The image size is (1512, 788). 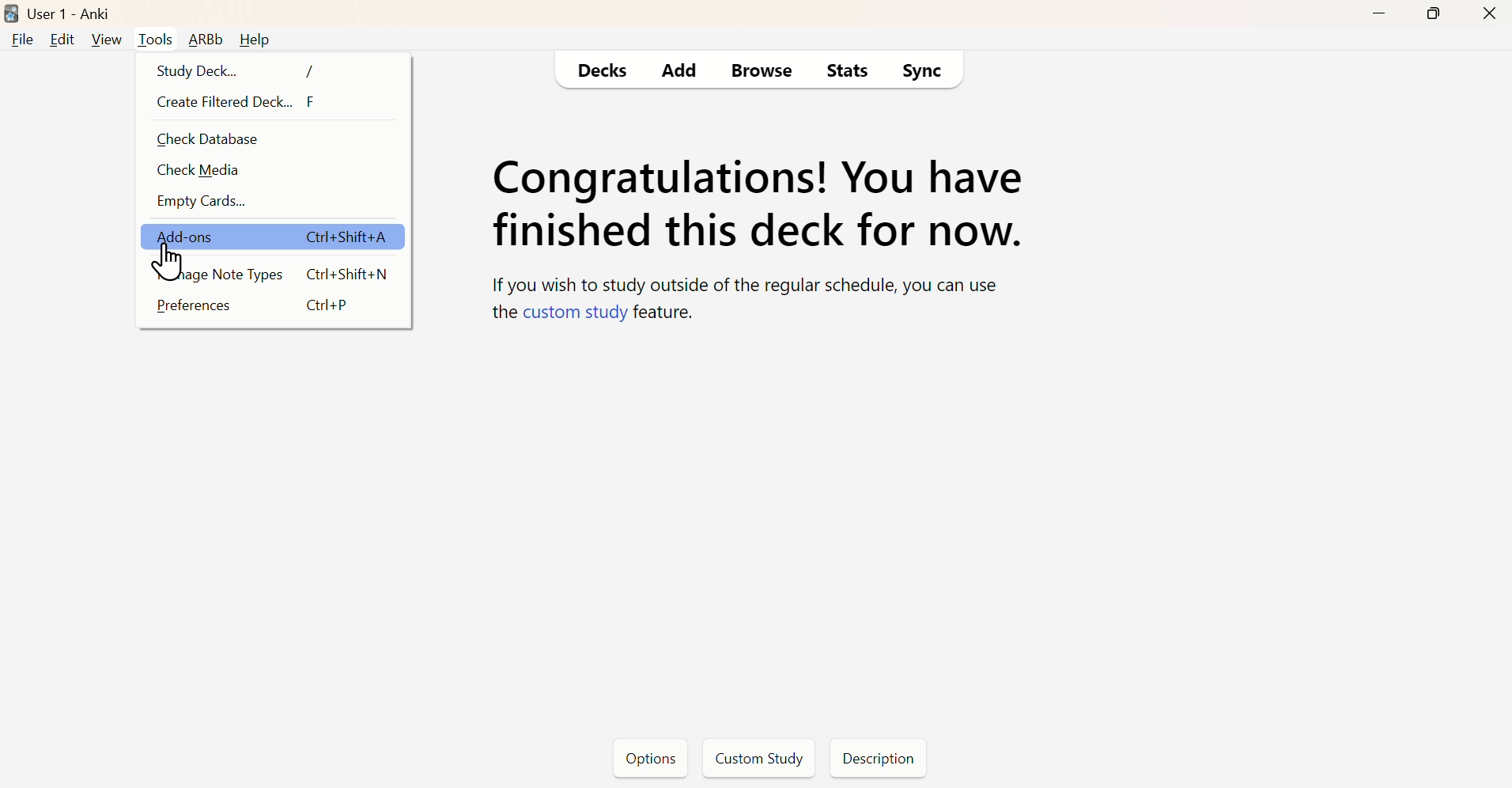 What do you see at coordinates (203, 202) in the screenshot?
I see `Empty Cards...` at bounding box center [203, 202].